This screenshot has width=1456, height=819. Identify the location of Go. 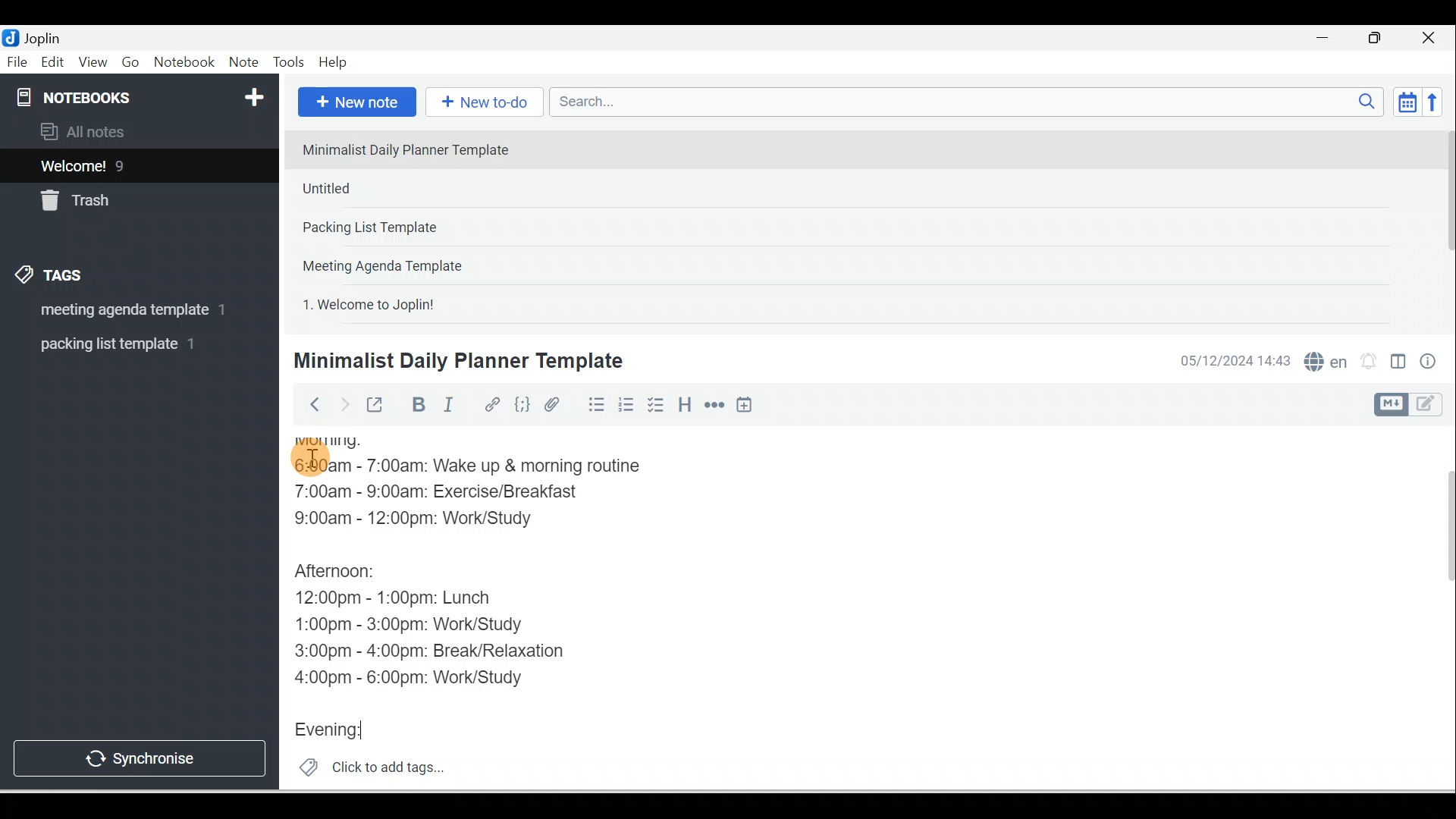
(133, 63).